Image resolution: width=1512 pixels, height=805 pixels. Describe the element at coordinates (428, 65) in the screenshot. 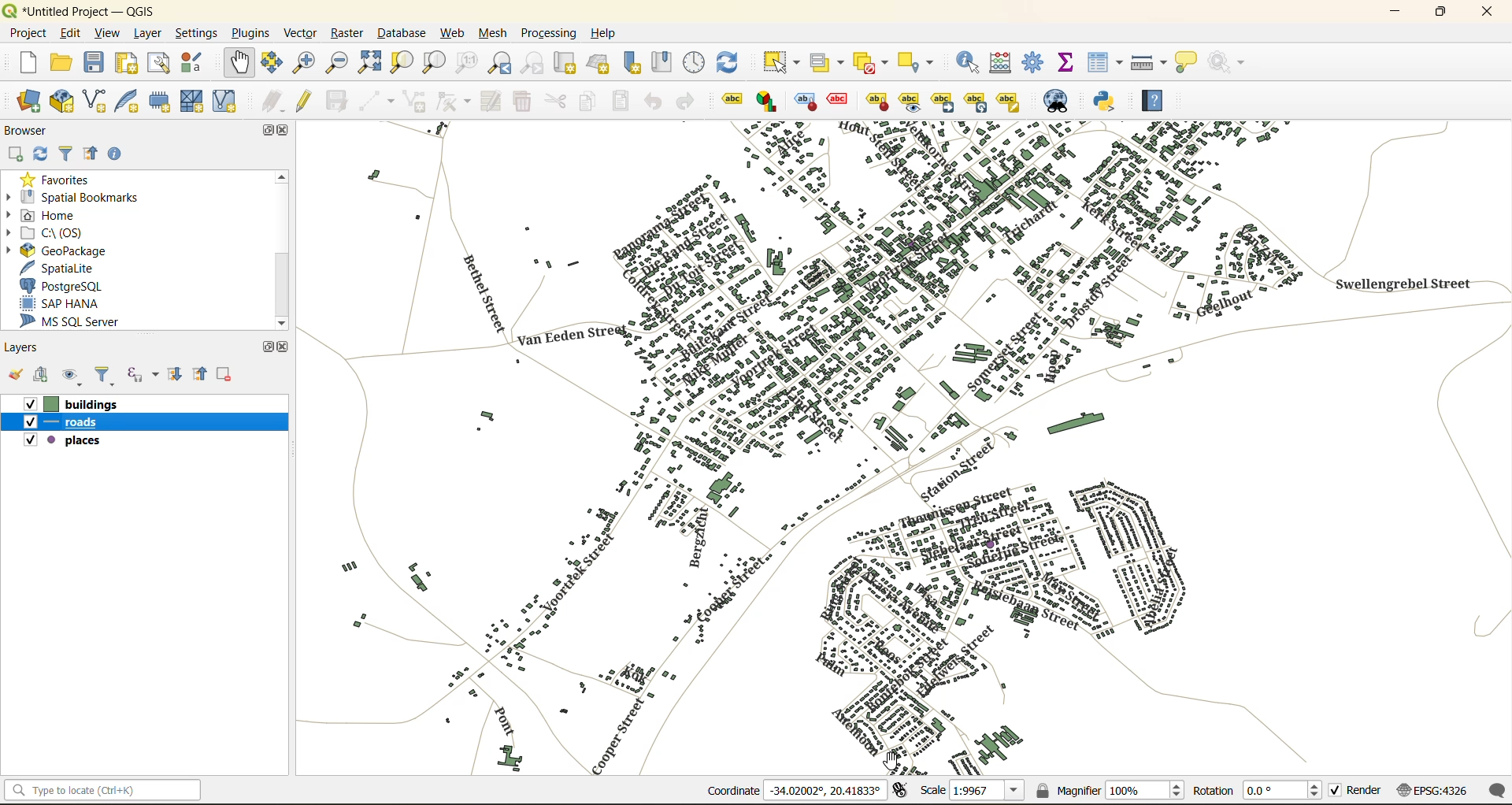

I see `zoom layer` at that location.